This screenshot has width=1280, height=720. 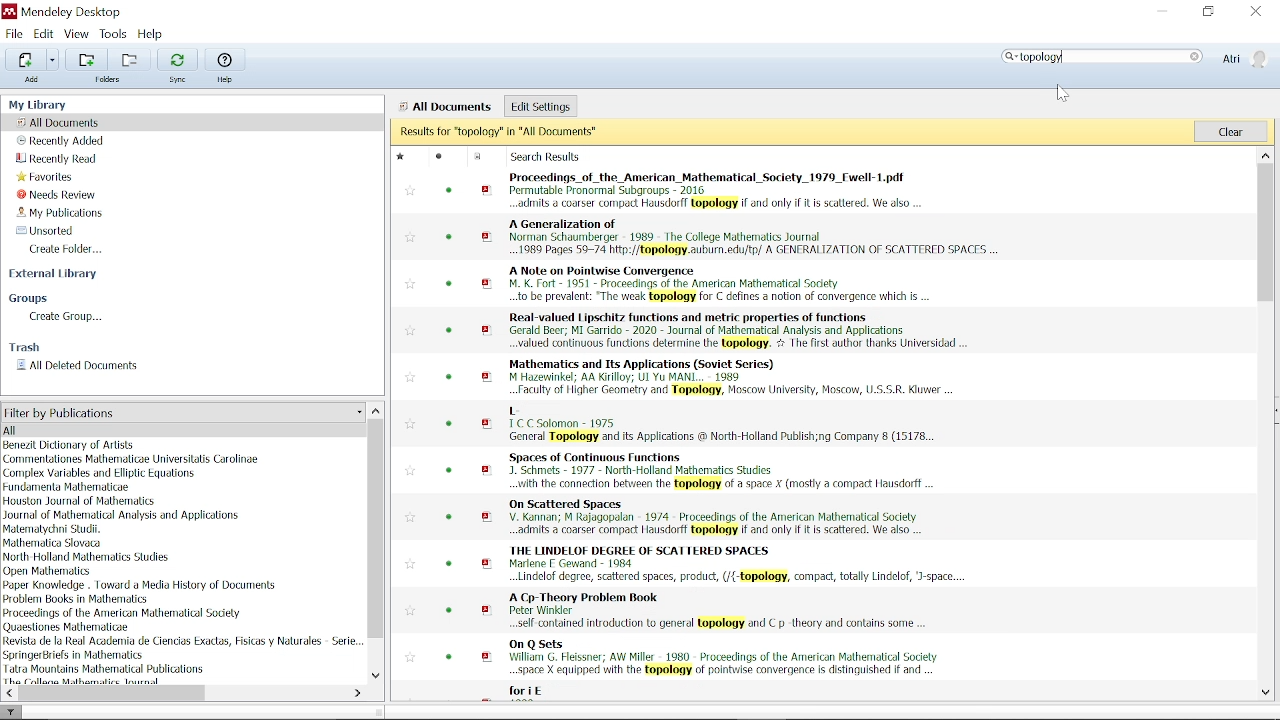 I want to click on Add files options, so click(x=53, y=60).